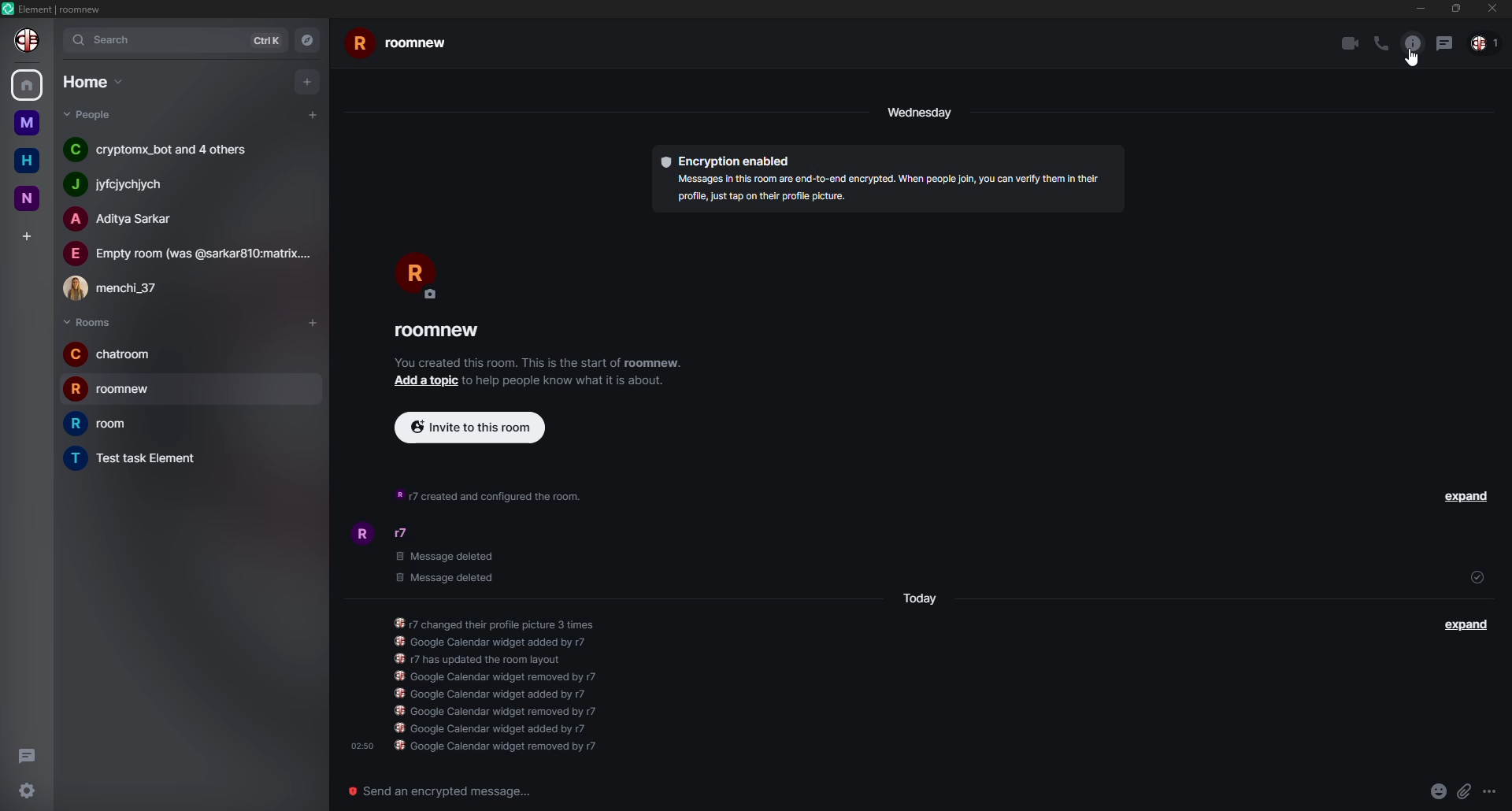  What do you see at coordinates (1378, 43) in the screenshot?
I see `voive` at bounding box center [1378, 43].